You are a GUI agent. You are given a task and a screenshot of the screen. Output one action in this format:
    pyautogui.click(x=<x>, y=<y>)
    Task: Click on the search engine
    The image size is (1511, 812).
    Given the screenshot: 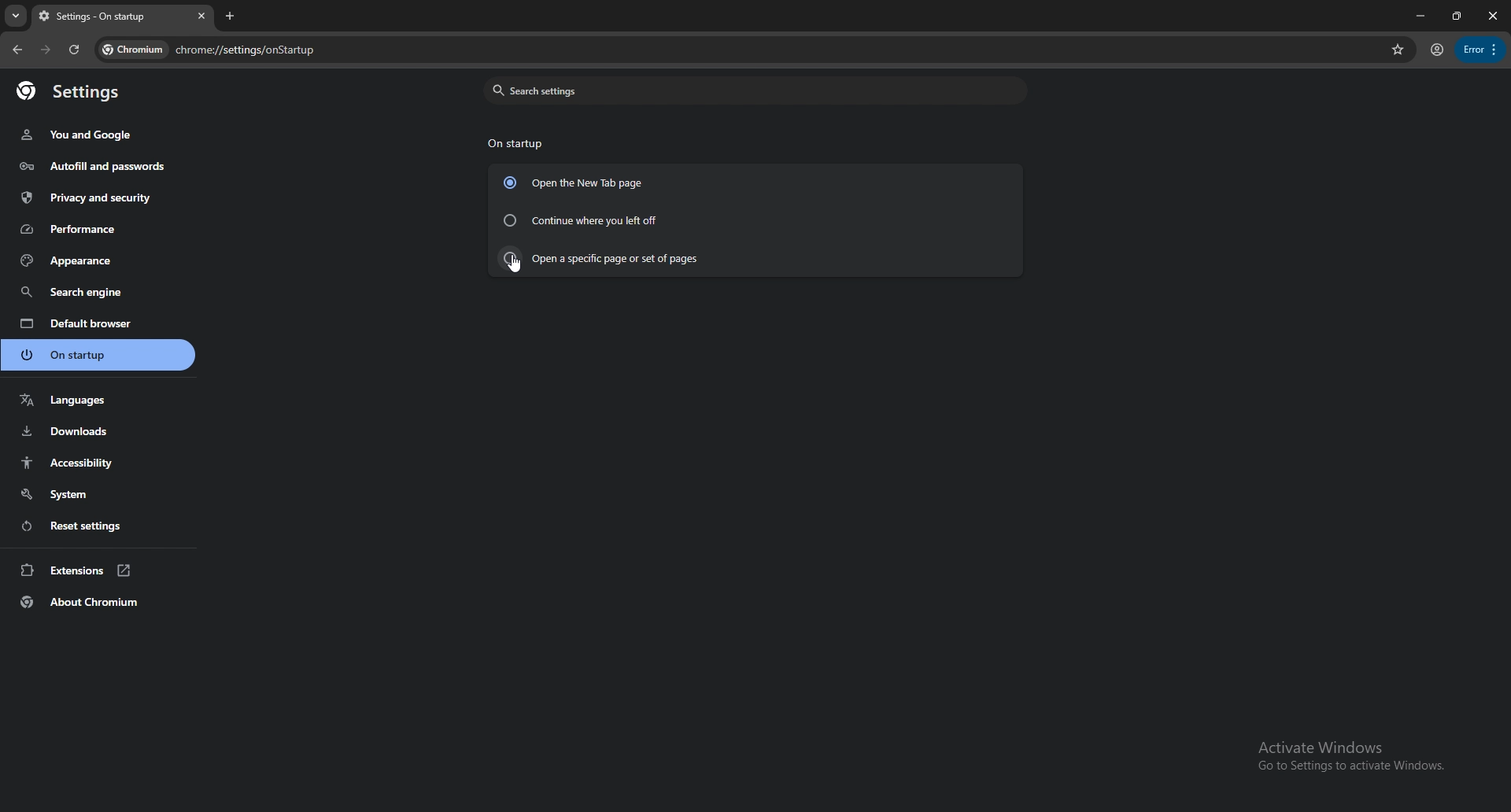 What is the action you would take?
    pyautogui.click(x=98, y=291)
    